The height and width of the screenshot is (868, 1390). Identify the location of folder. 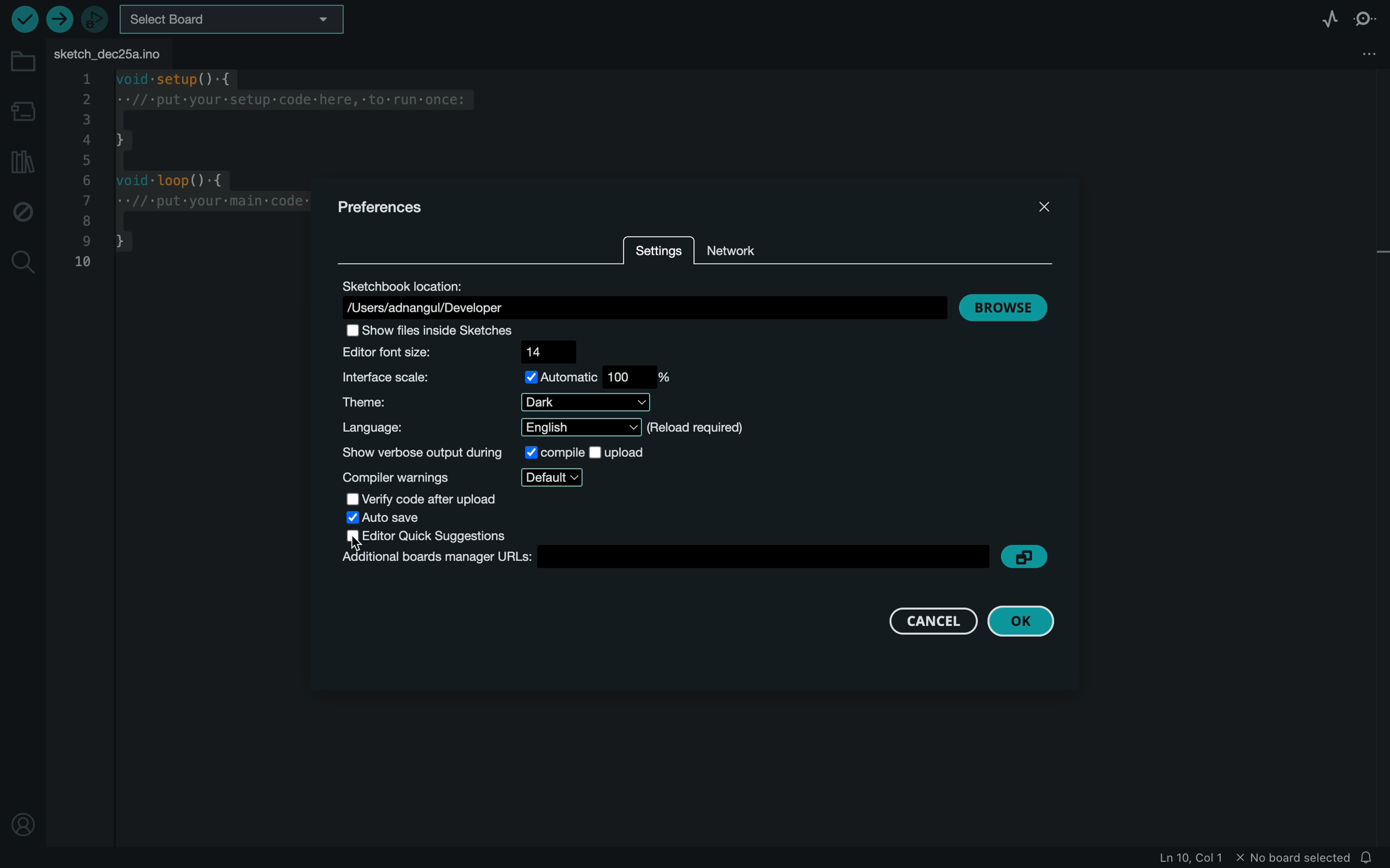
(23, 61).